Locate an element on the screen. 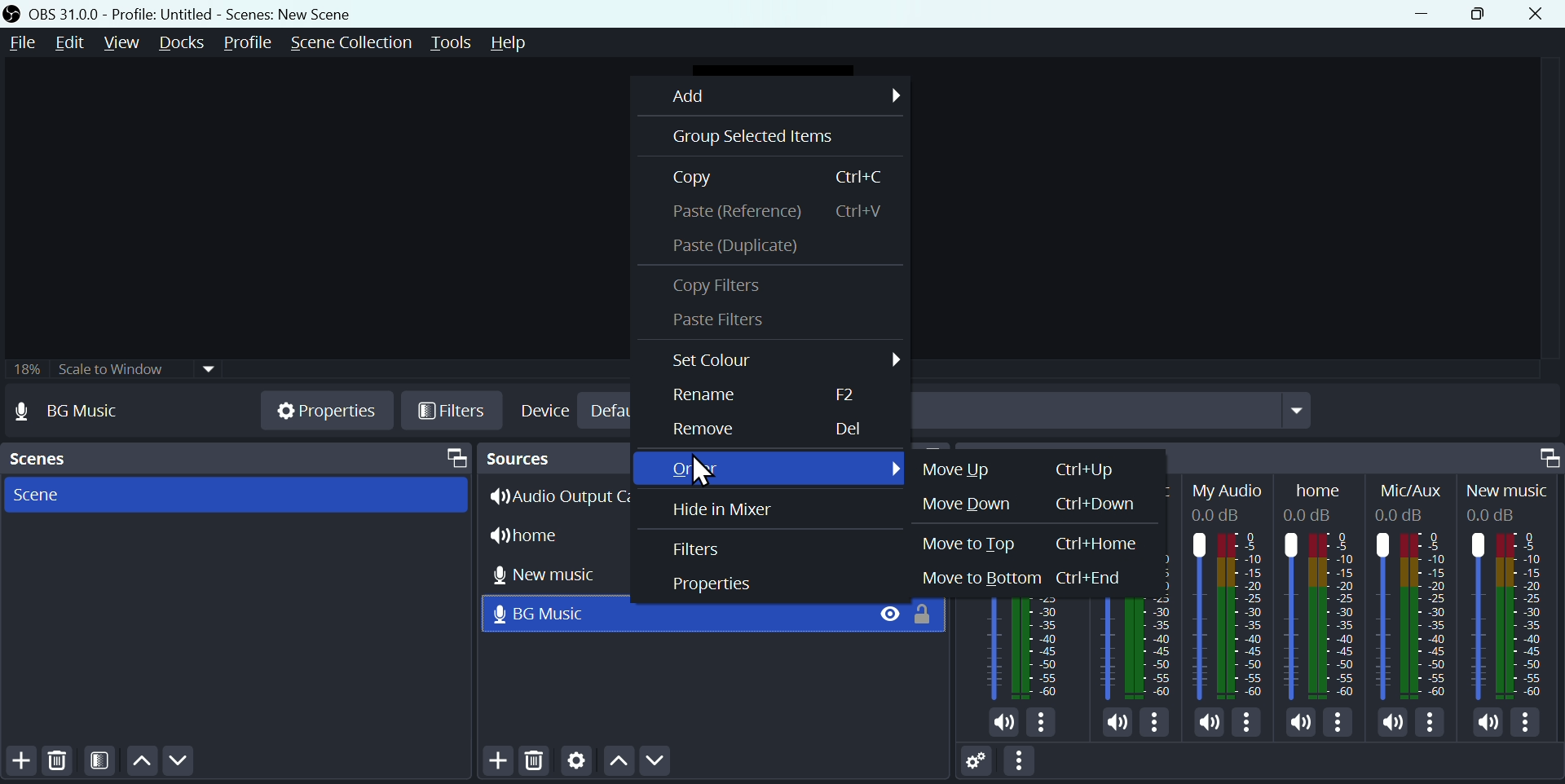  BG Music is located at coordinates (1134, 647).